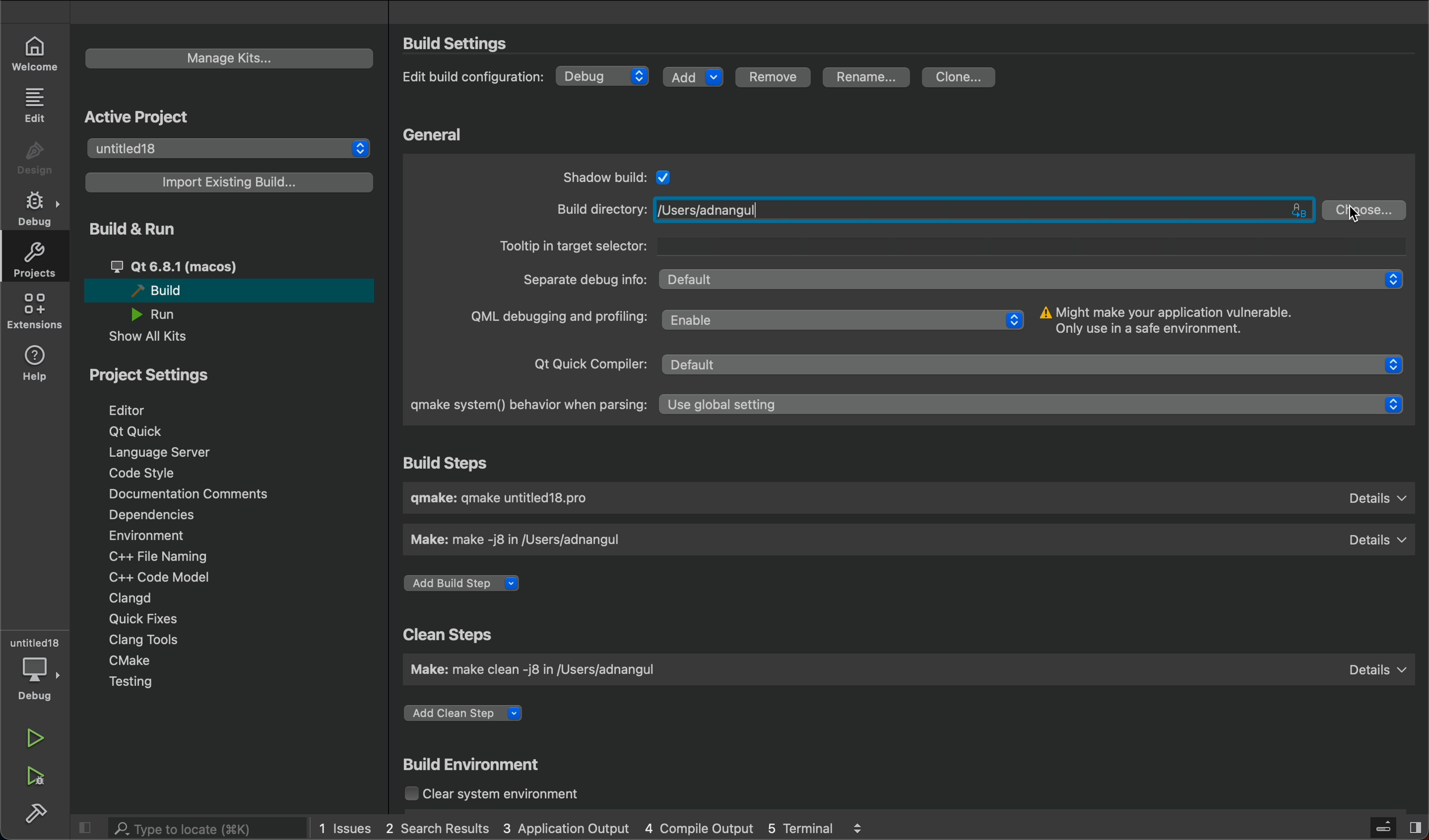  I want to click on active project                    , so click(152, 116).